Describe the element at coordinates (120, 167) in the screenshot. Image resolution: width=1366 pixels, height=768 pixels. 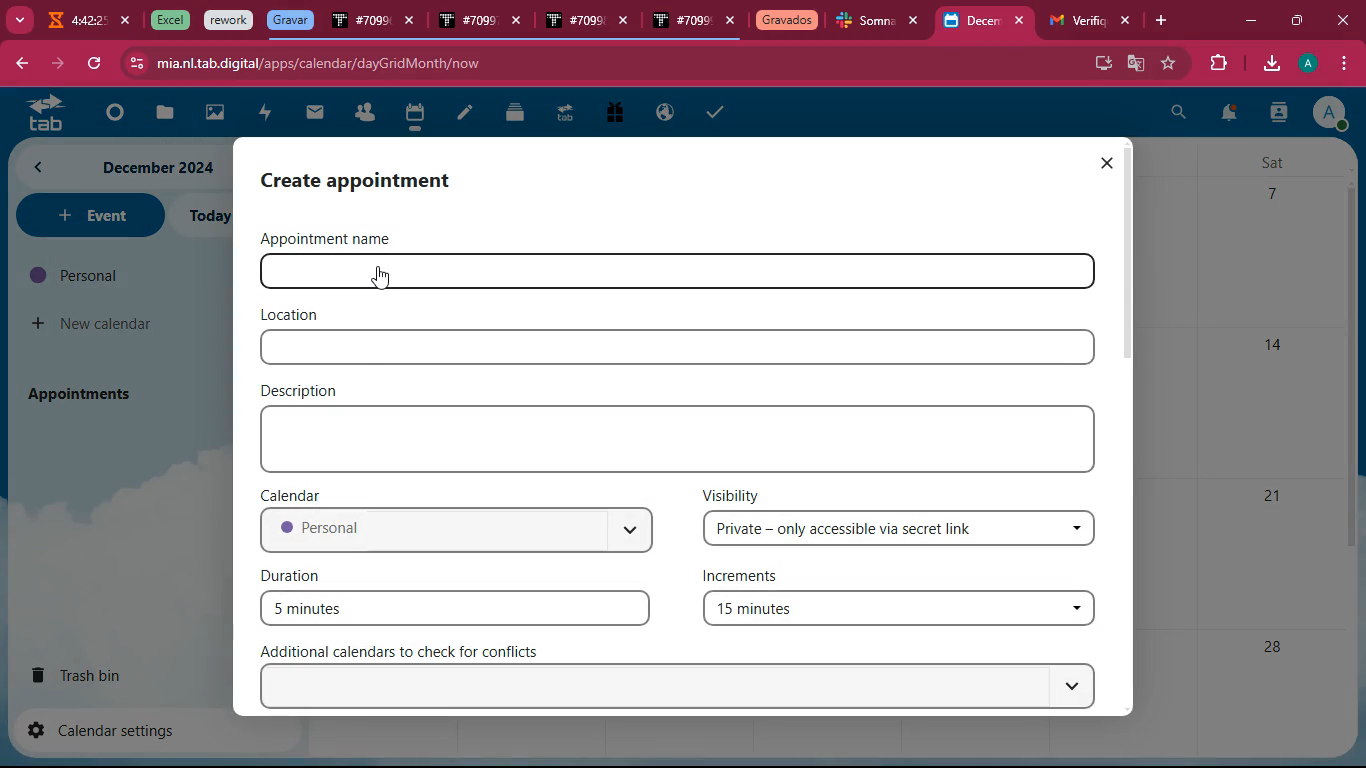
I see `month` at that location.